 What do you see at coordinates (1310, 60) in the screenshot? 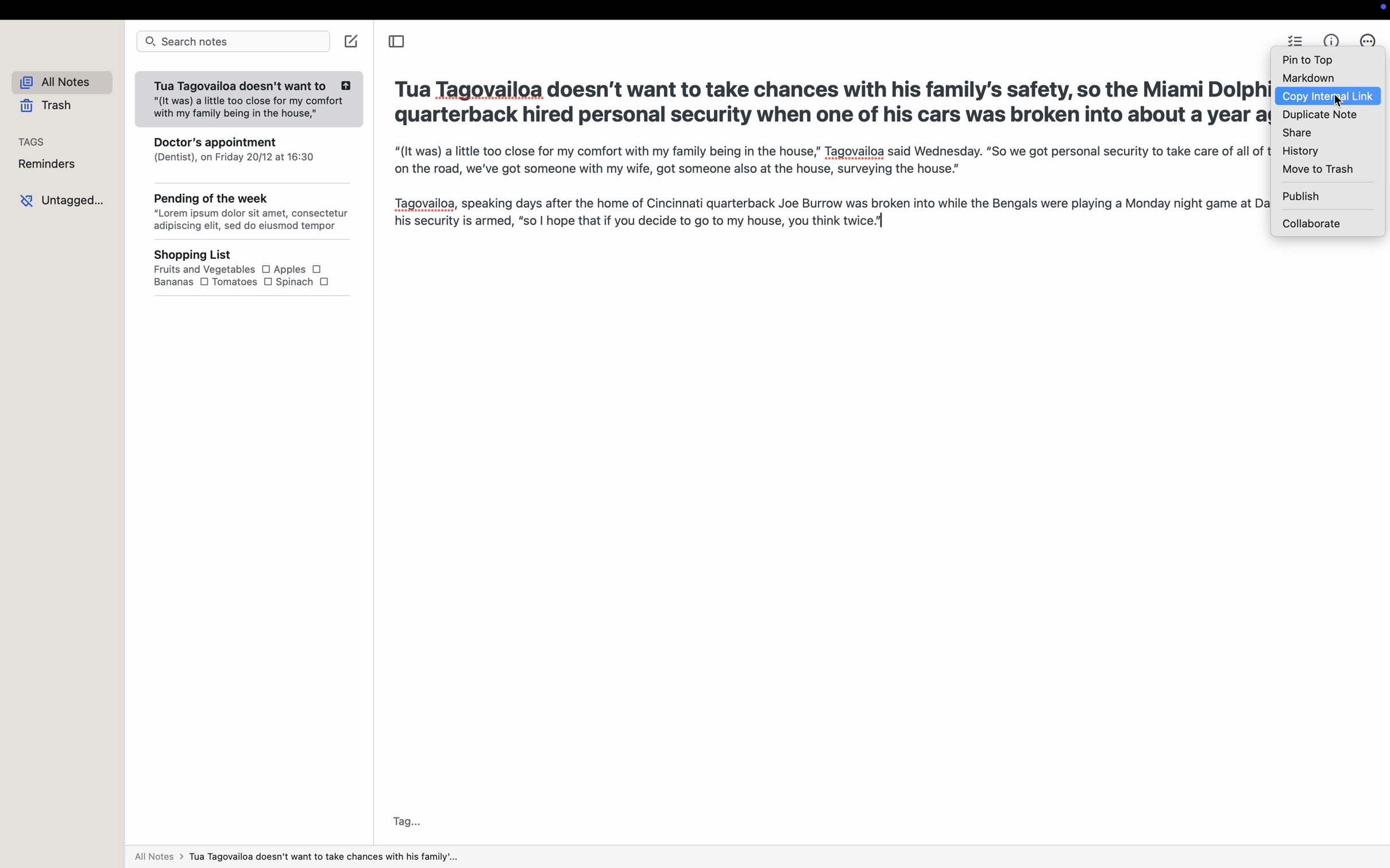
I see `pin to top` at bounding box center [1310, 60].